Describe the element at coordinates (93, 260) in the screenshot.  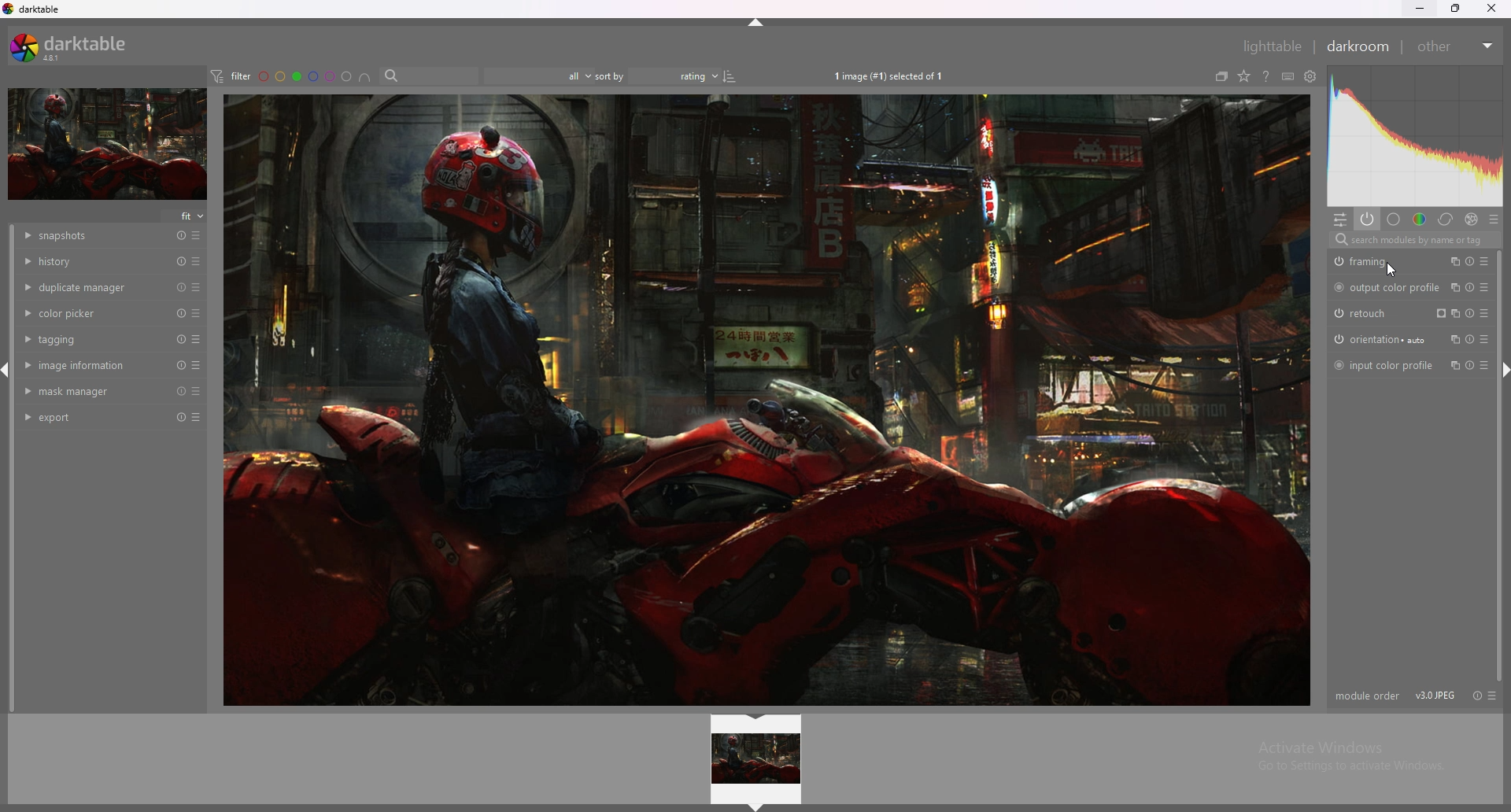
I see `history` at that location.